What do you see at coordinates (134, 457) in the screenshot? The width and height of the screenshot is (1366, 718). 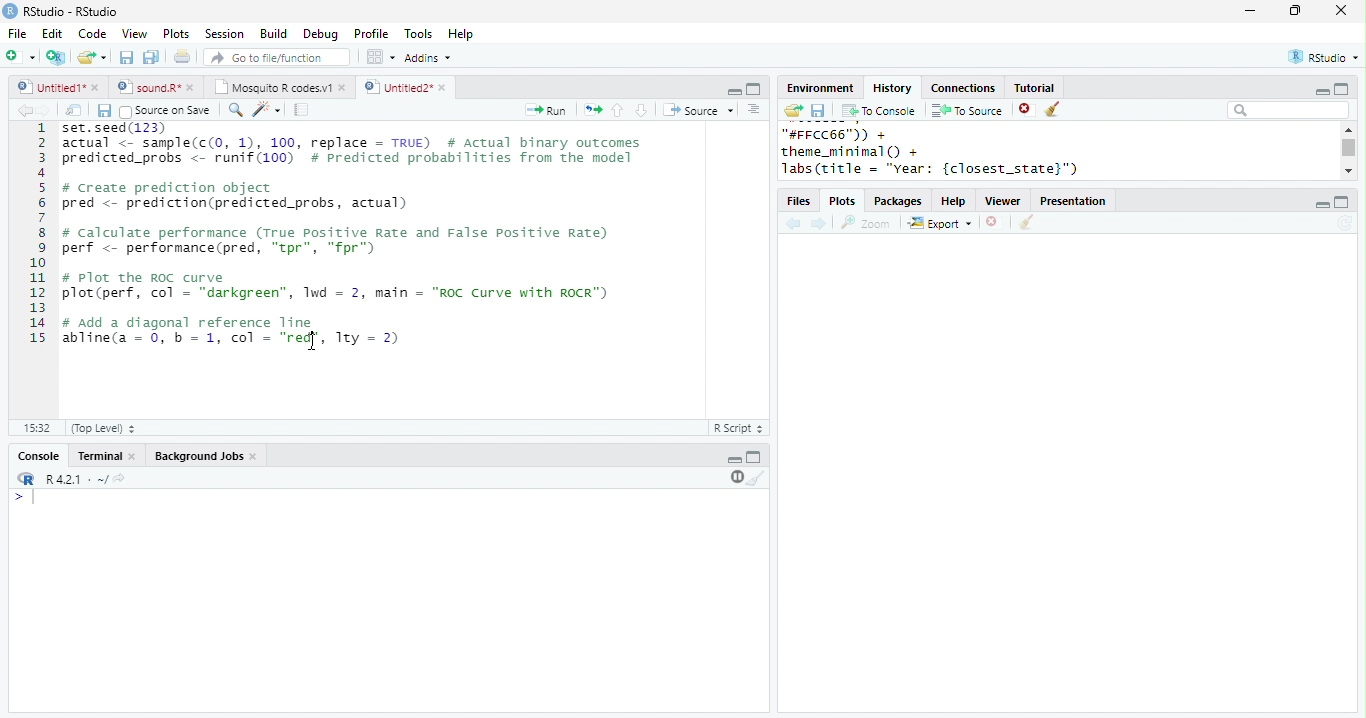 I see `close` at bounding box center [134, 457].